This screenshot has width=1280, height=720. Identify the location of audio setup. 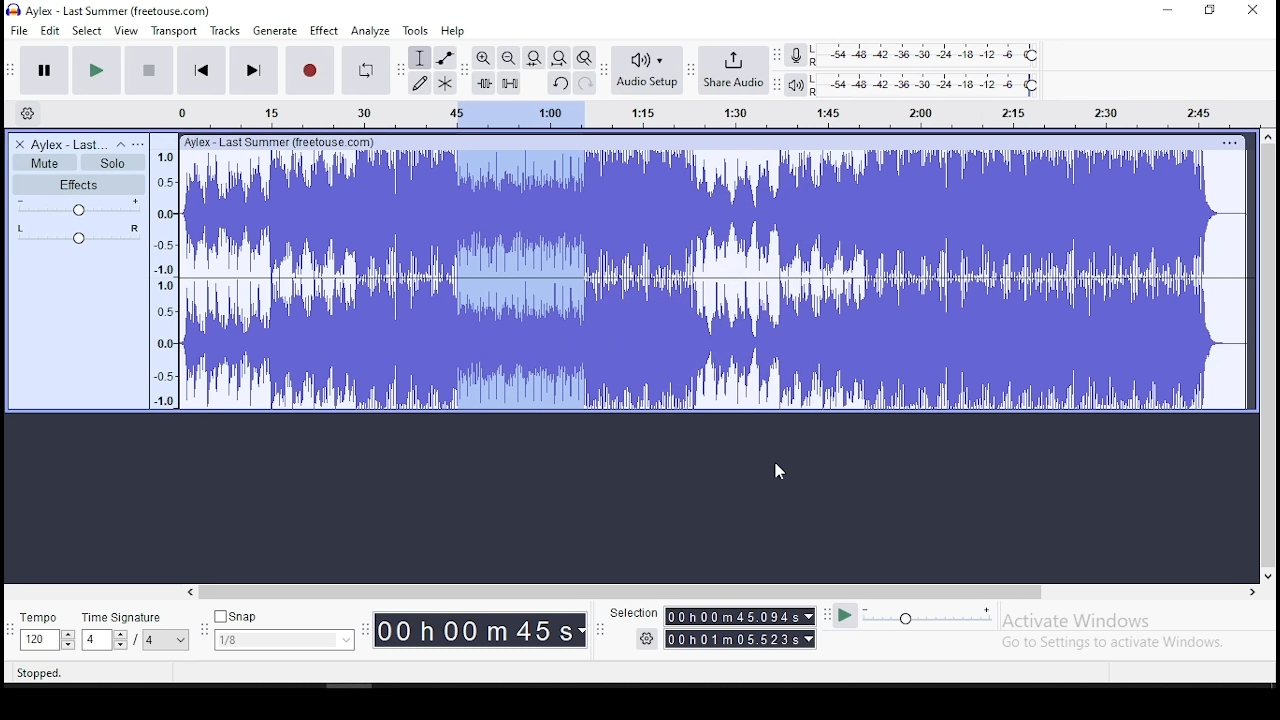
(648, 70).